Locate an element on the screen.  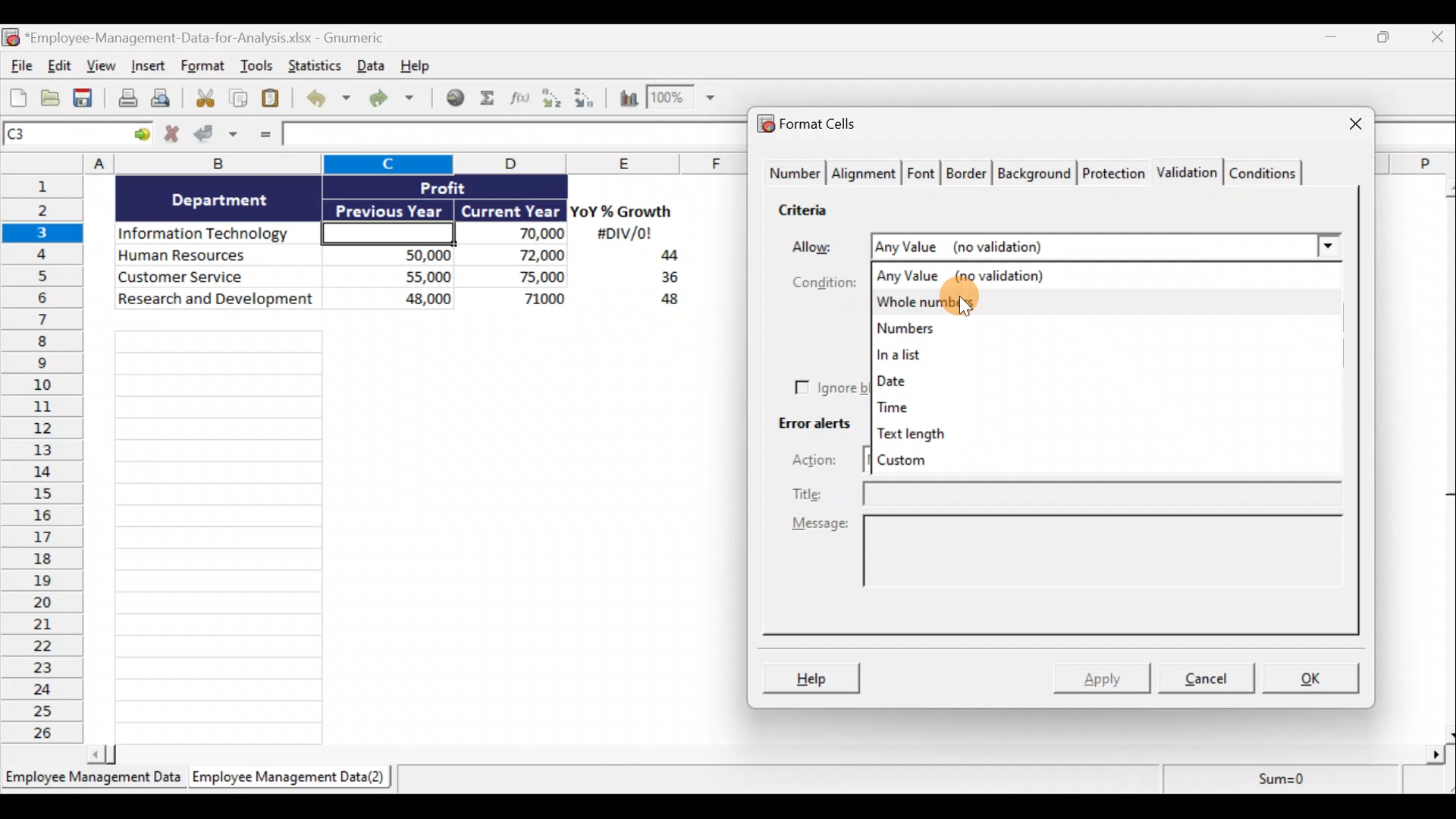
Apply is located at coordinates (1103, 679).